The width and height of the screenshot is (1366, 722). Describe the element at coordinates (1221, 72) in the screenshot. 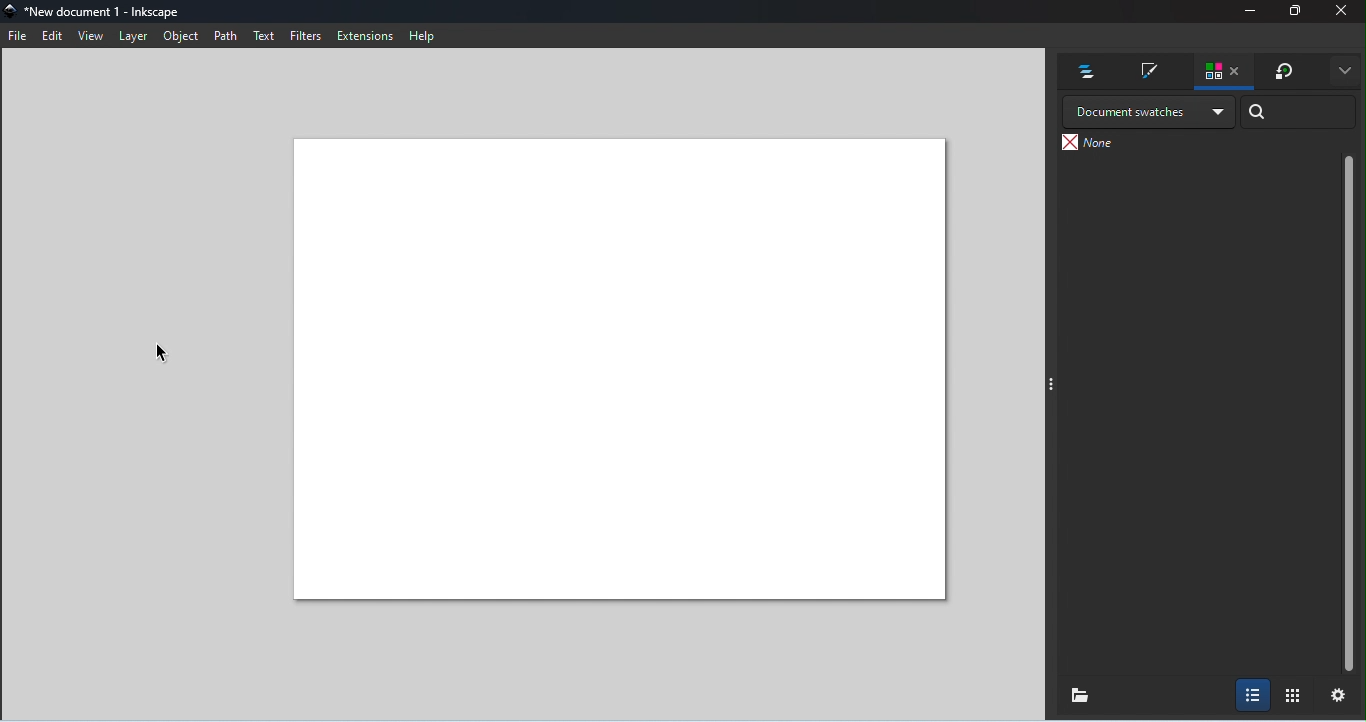

I see `Swatches` at that location.